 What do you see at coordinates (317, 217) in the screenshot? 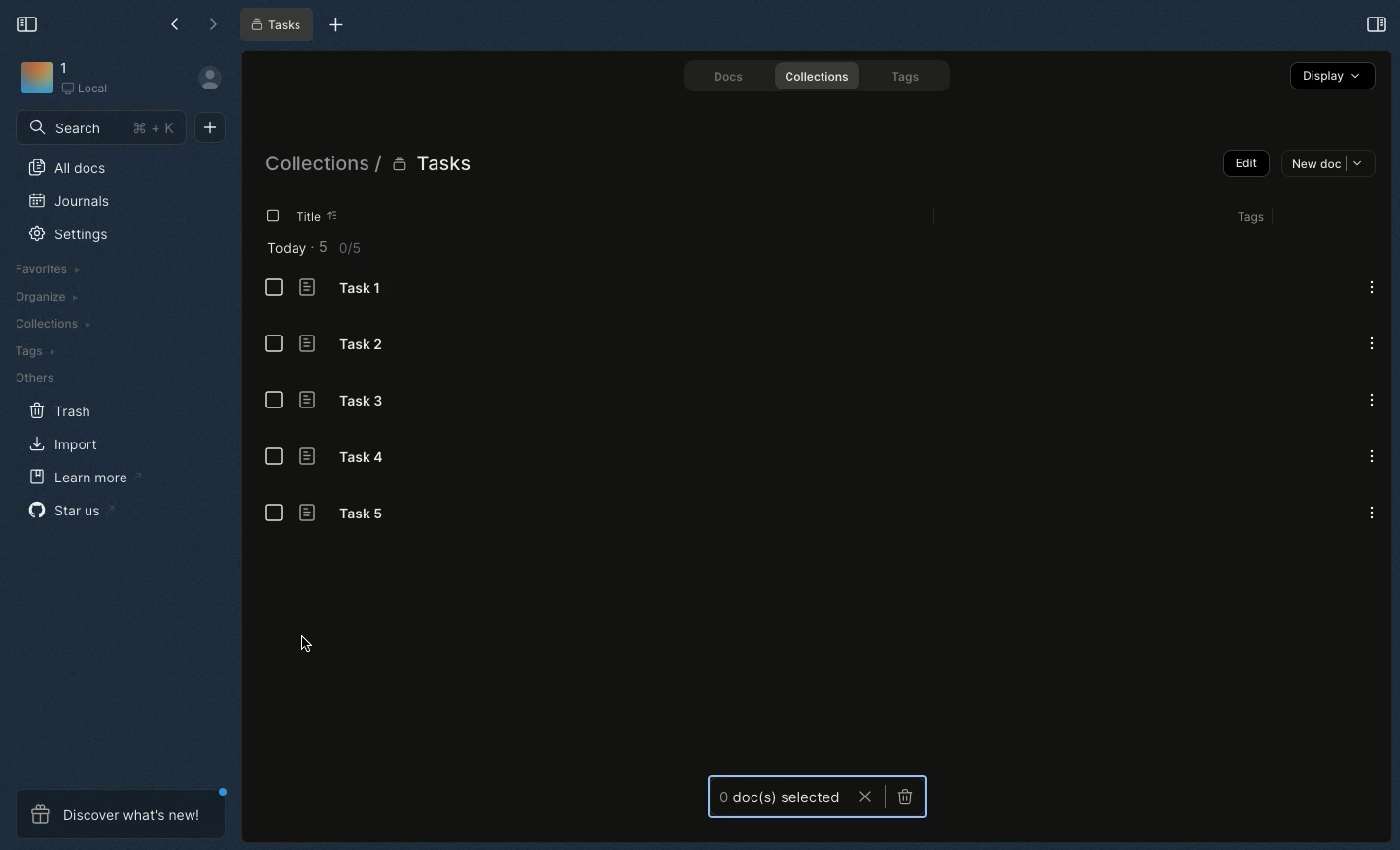
I see `Title` at bounding box center [317, 217].